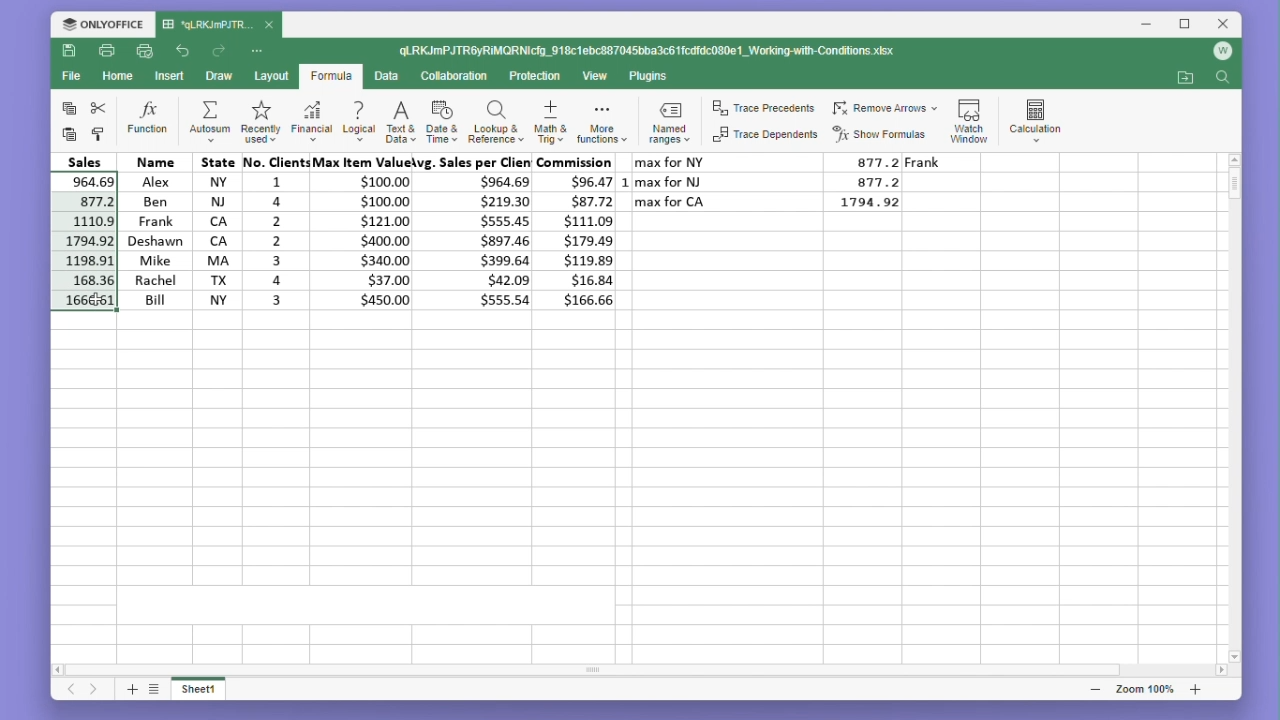  I want to click on Insert, so click(166, 76).